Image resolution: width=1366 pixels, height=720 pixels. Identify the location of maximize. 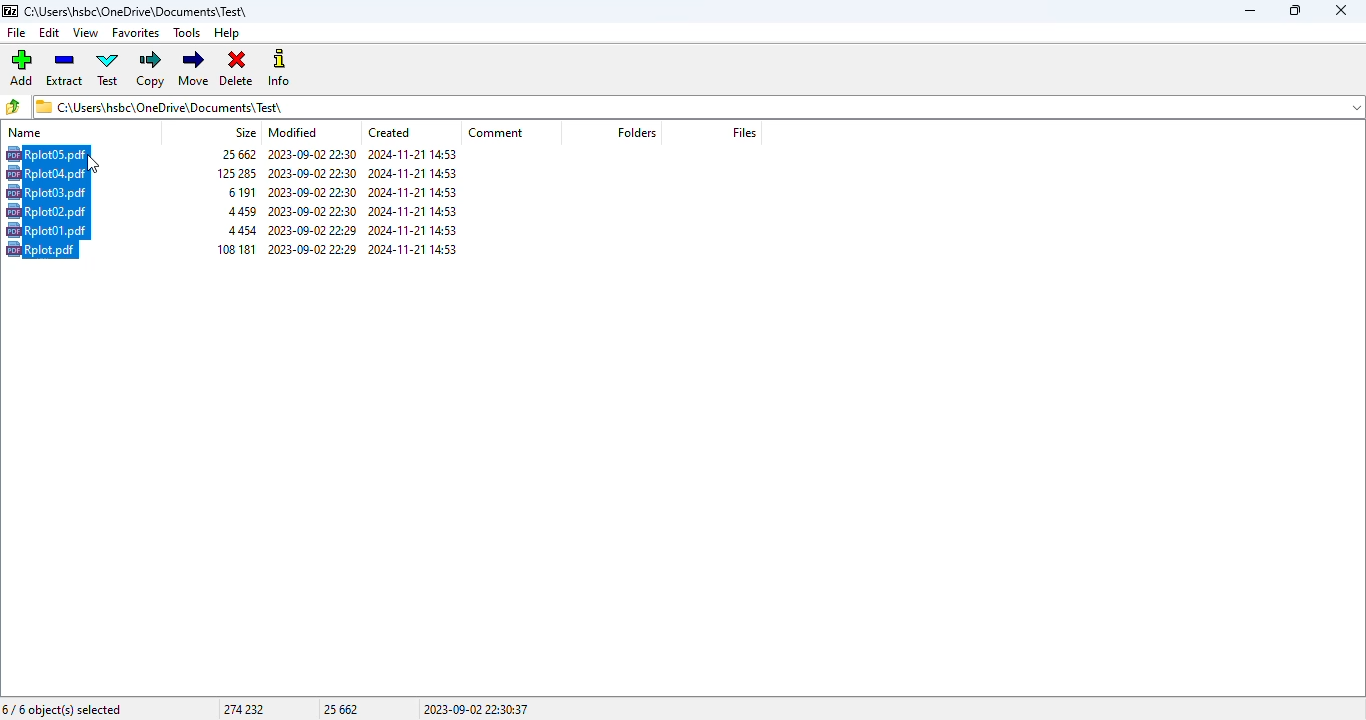
(1293, 10).